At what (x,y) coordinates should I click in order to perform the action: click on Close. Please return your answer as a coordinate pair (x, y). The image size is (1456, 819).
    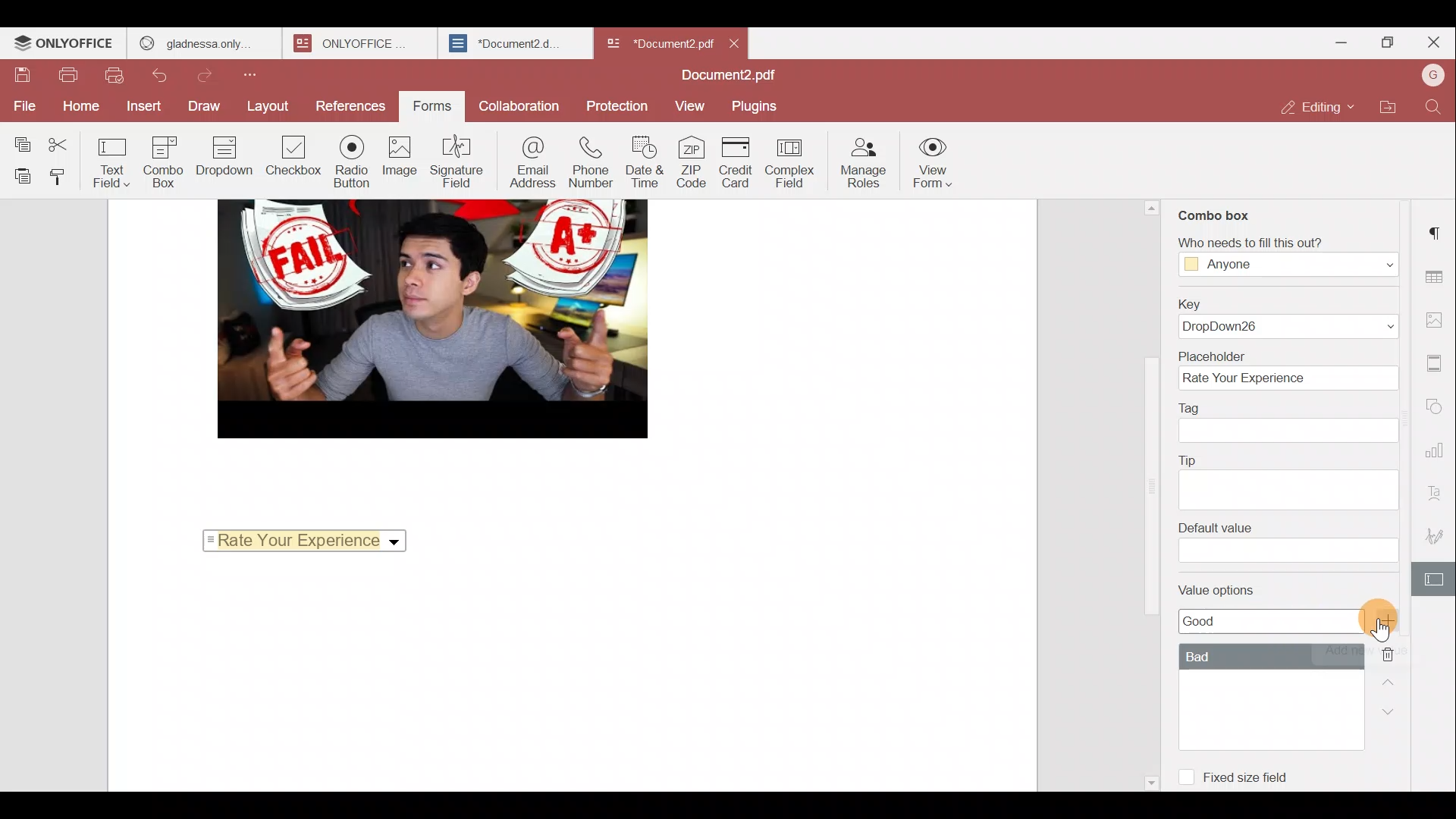
    Looking at the image, I should click on (1433, 42).